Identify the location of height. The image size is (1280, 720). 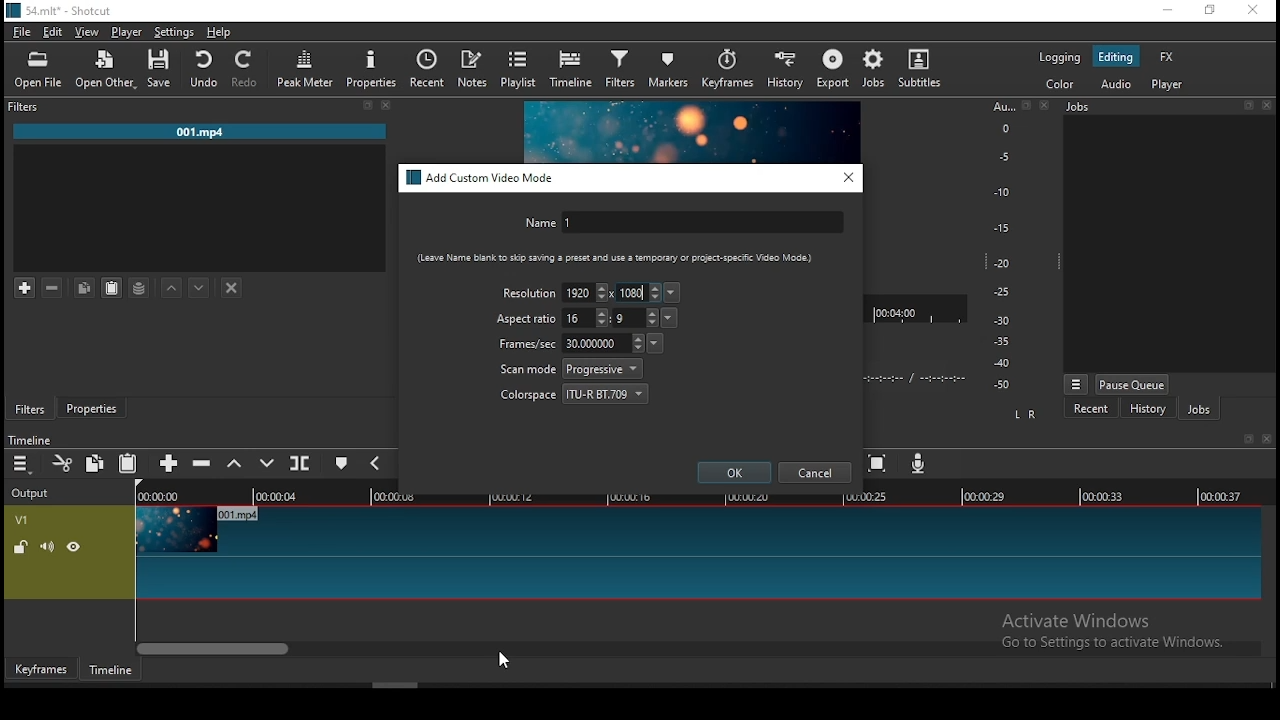
(636, 293).